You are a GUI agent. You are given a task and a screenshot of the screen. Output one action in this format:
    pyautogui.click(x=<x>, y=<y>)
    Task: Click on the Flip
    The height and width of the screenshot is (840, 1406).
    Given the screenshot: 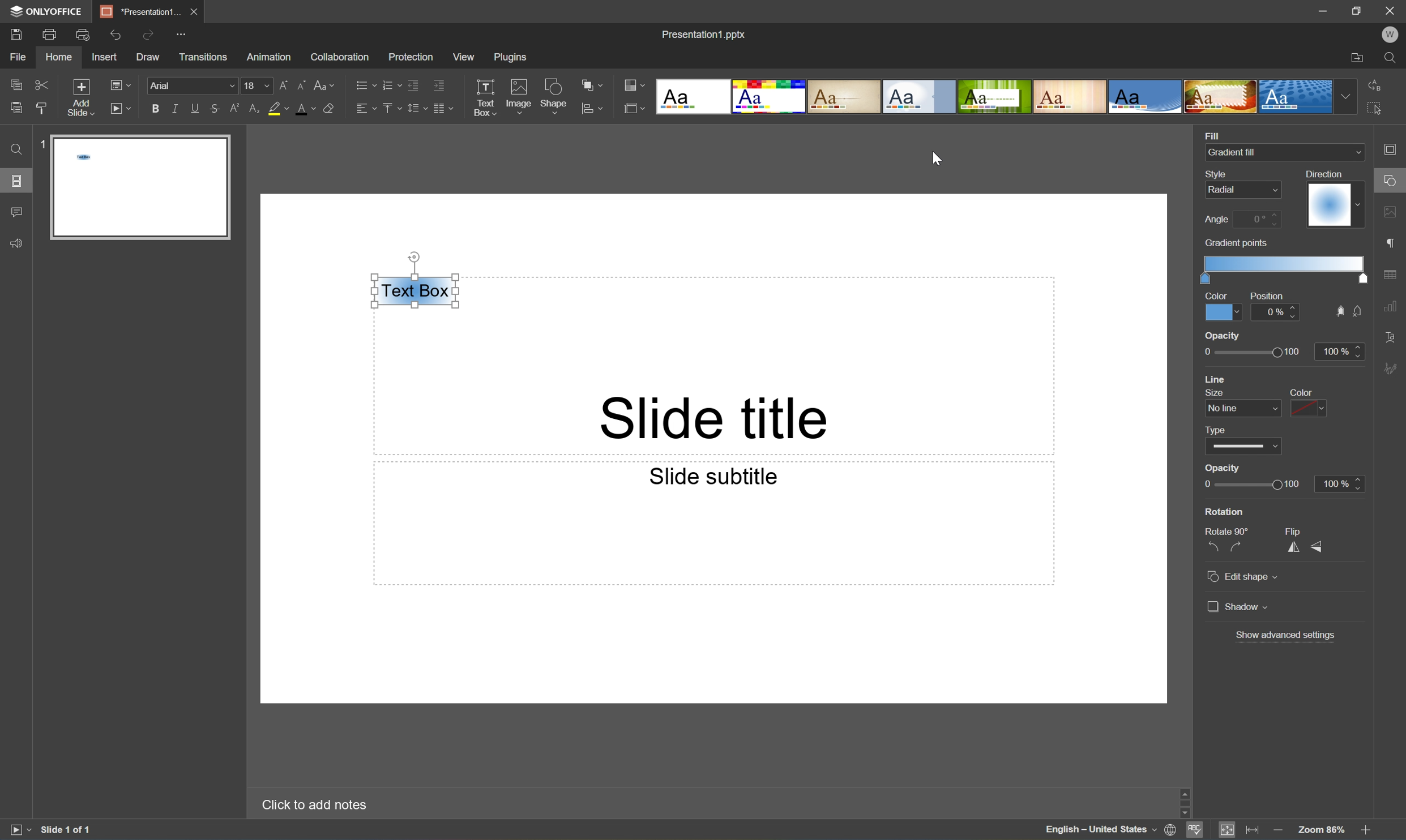 What is the action you would take?
    pyautogui.click(x=1294, y=529)
    